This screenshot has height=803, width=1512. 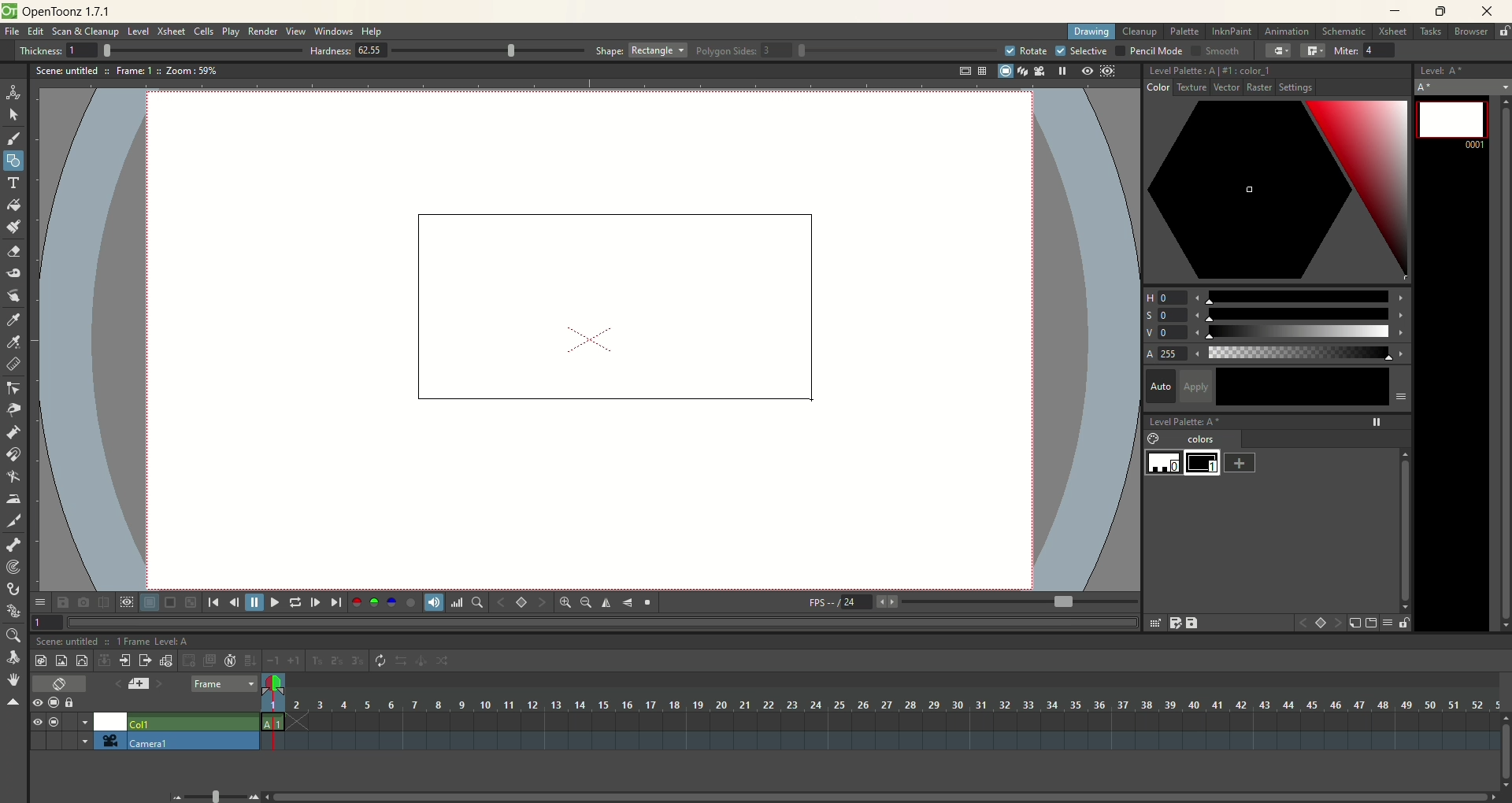 What do you see at coordinates (423, 662) in the screenshot?
I see `` at bounding box center [423, 662].